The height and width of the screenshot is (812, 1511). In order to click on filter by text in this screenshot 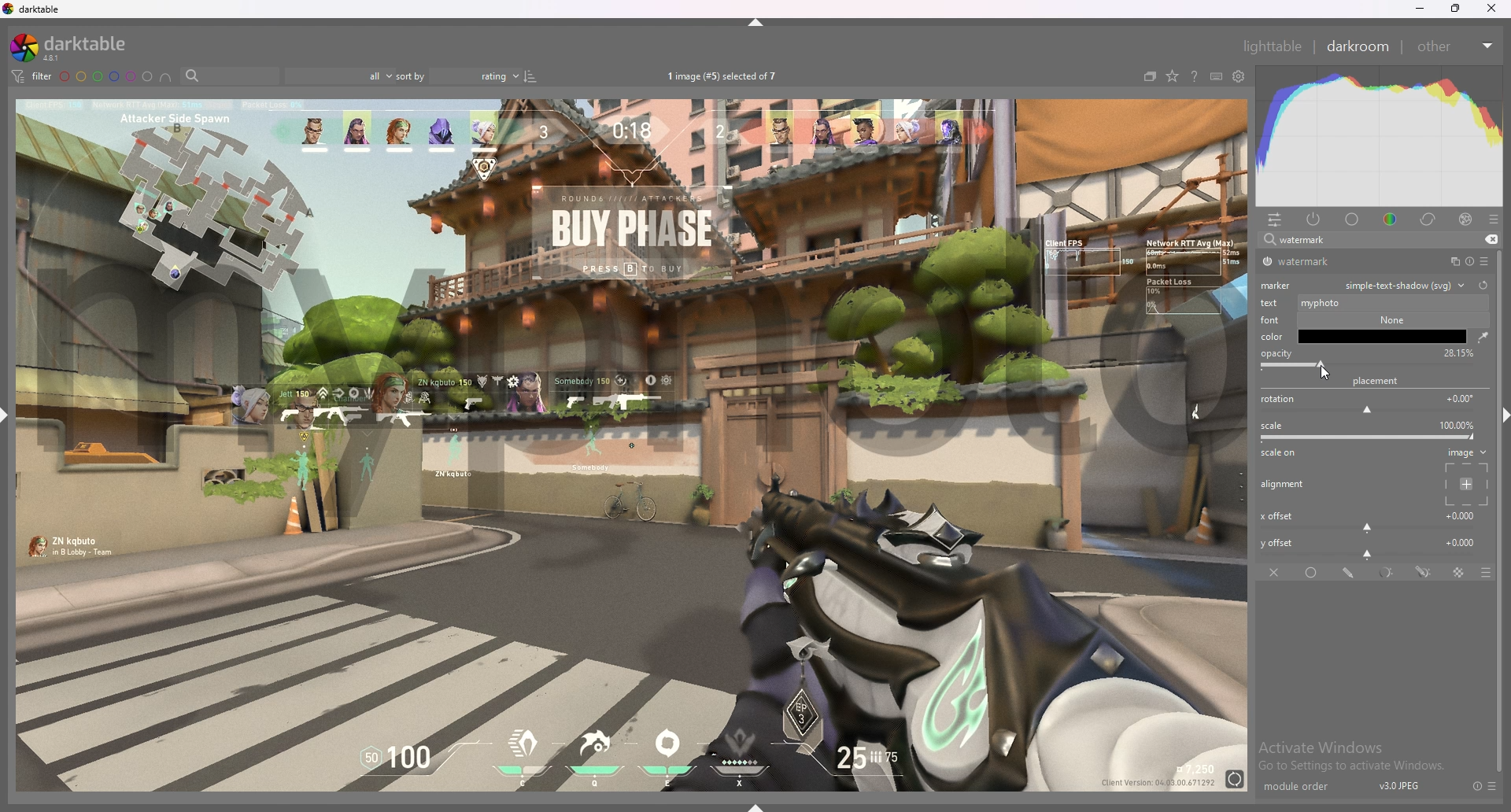, I will do `click(230, 76)`.